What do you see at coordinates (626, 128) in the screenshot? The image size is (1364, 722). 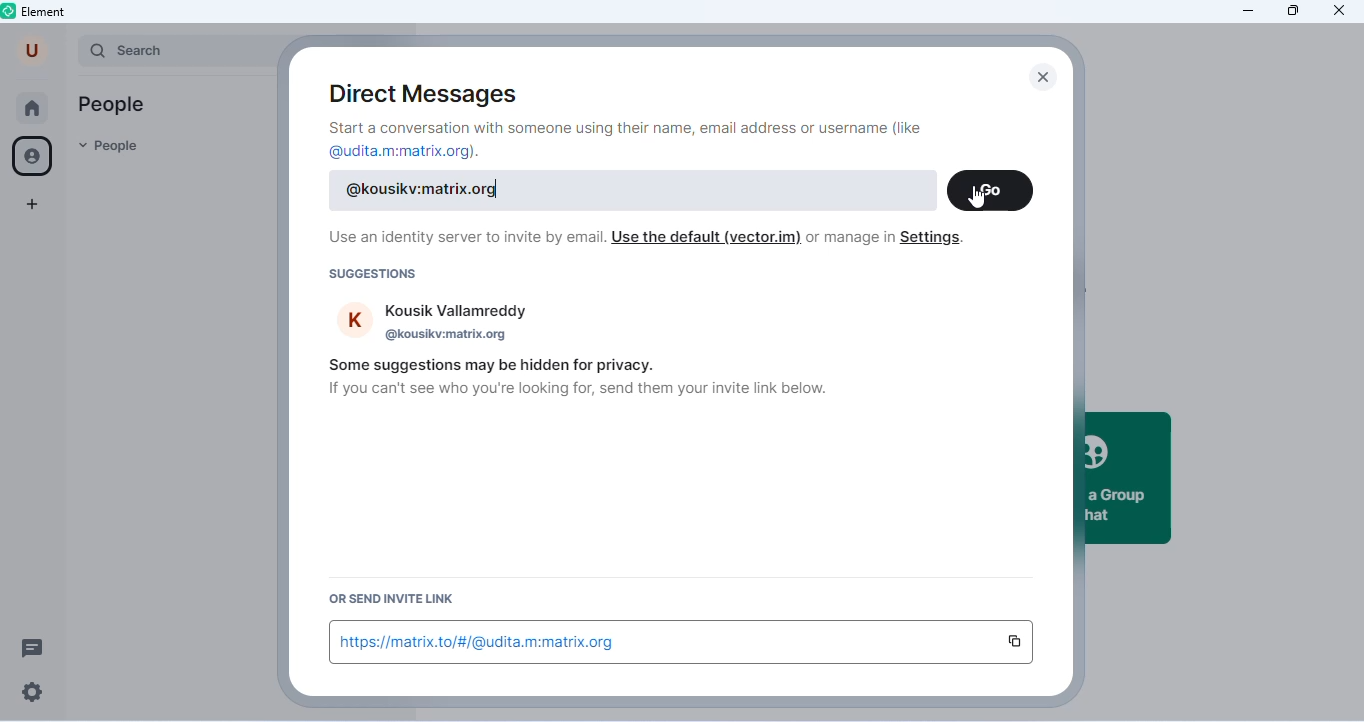 I see `Start a conversation with someone using their name, email address or username (like` at bounding box center [626, 128].